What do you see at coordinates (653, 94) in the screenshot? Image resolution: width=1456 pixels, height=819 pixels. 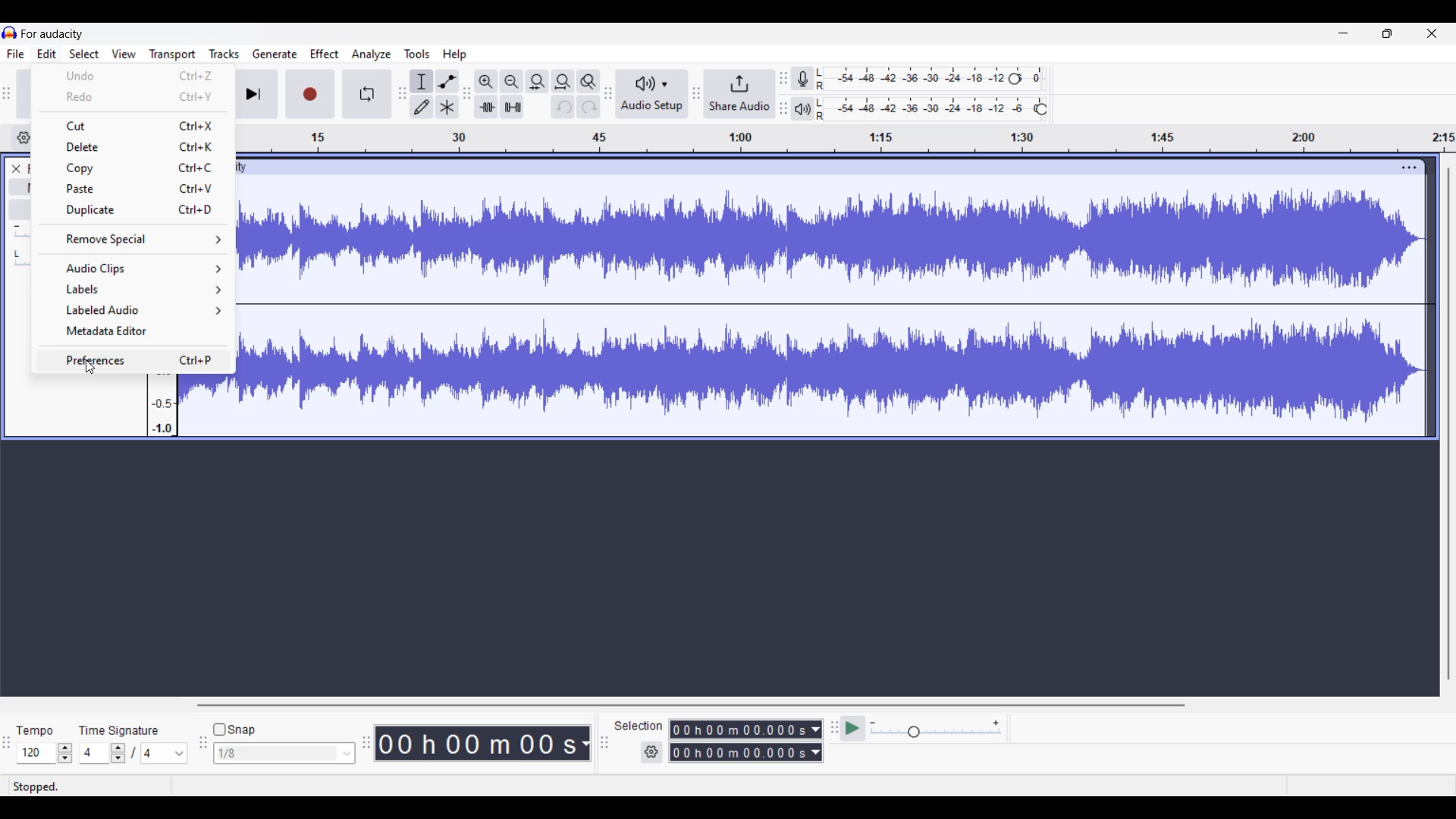 I see `Audio setup` at bounding box center [653, 94].